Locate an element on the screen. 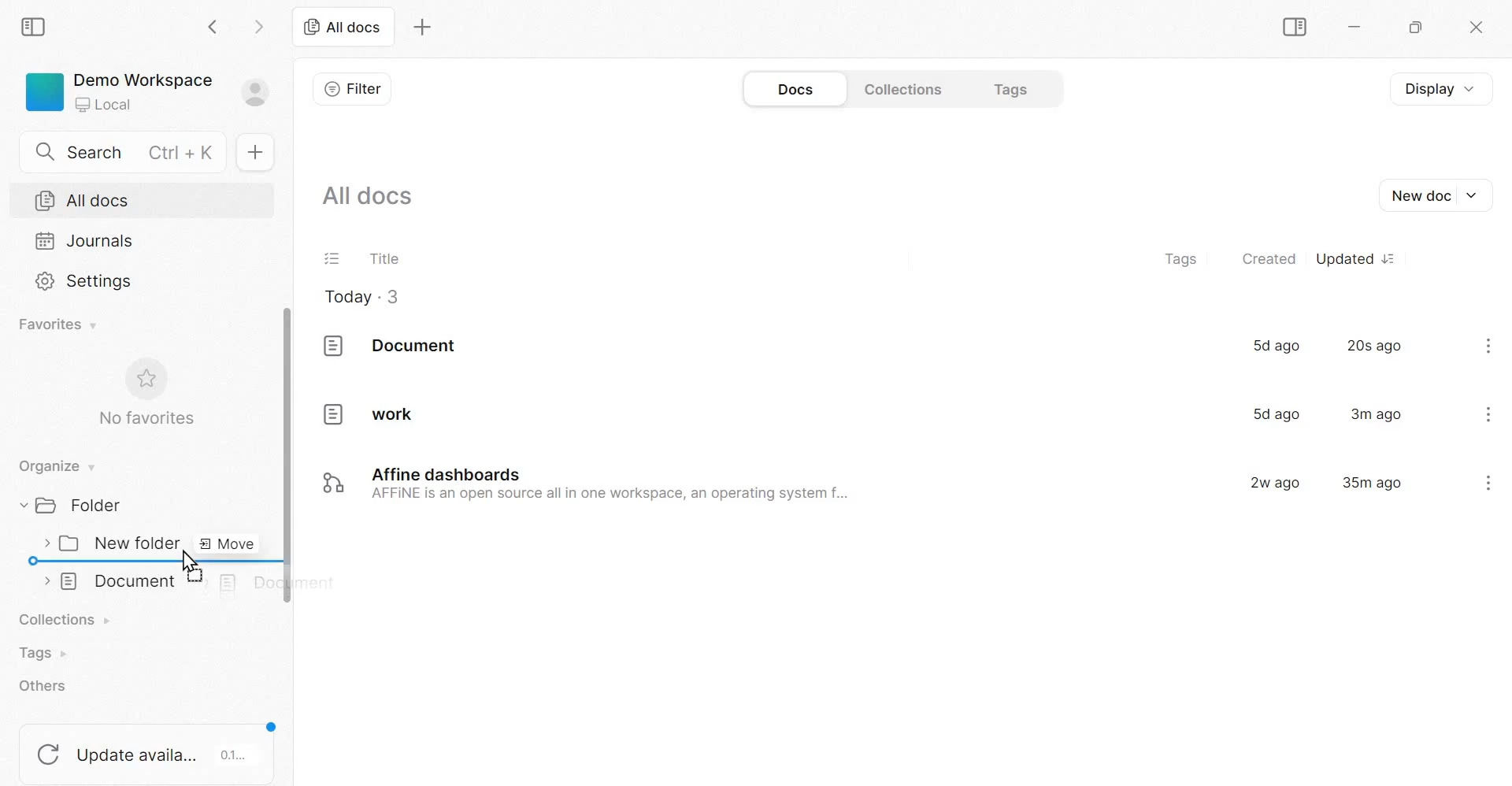 The image size is (1512, 786). All docs is located at coordinates (343, 28).